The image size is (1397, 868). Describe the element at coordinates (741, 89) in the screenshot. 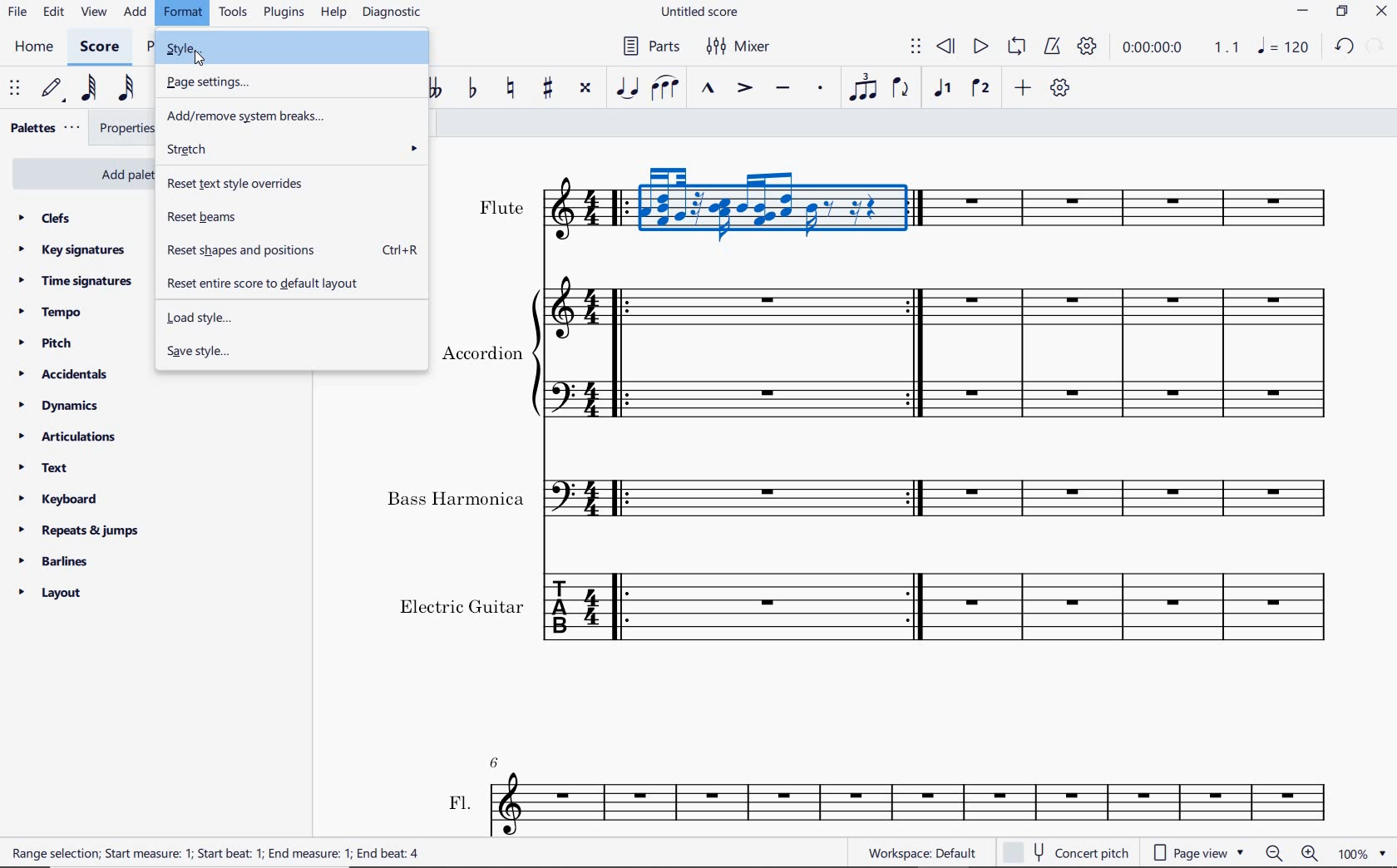

I see `accent` at that location.